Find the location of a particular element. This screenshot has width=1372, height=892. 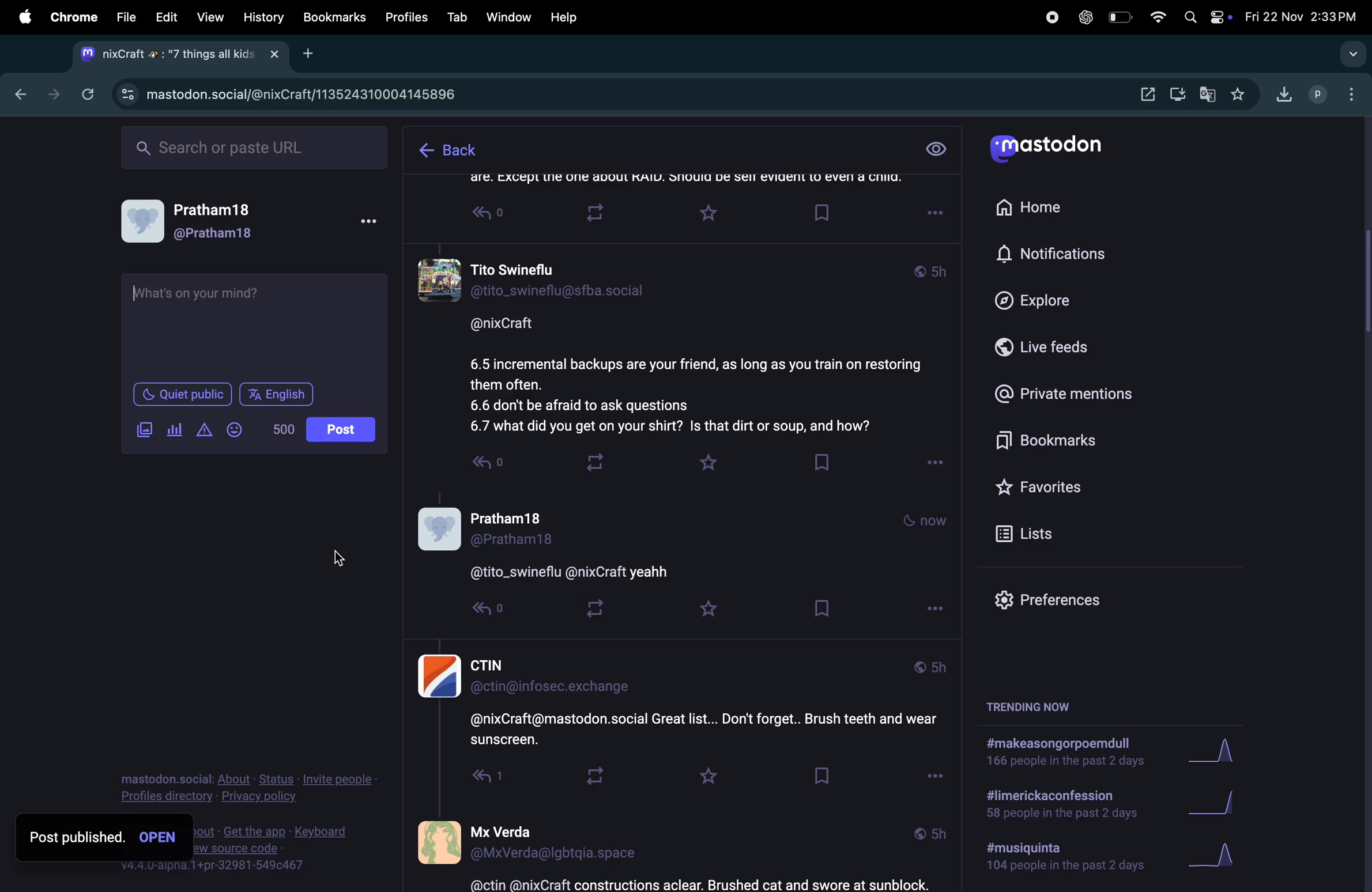

files is located at coordinates (125, 14).